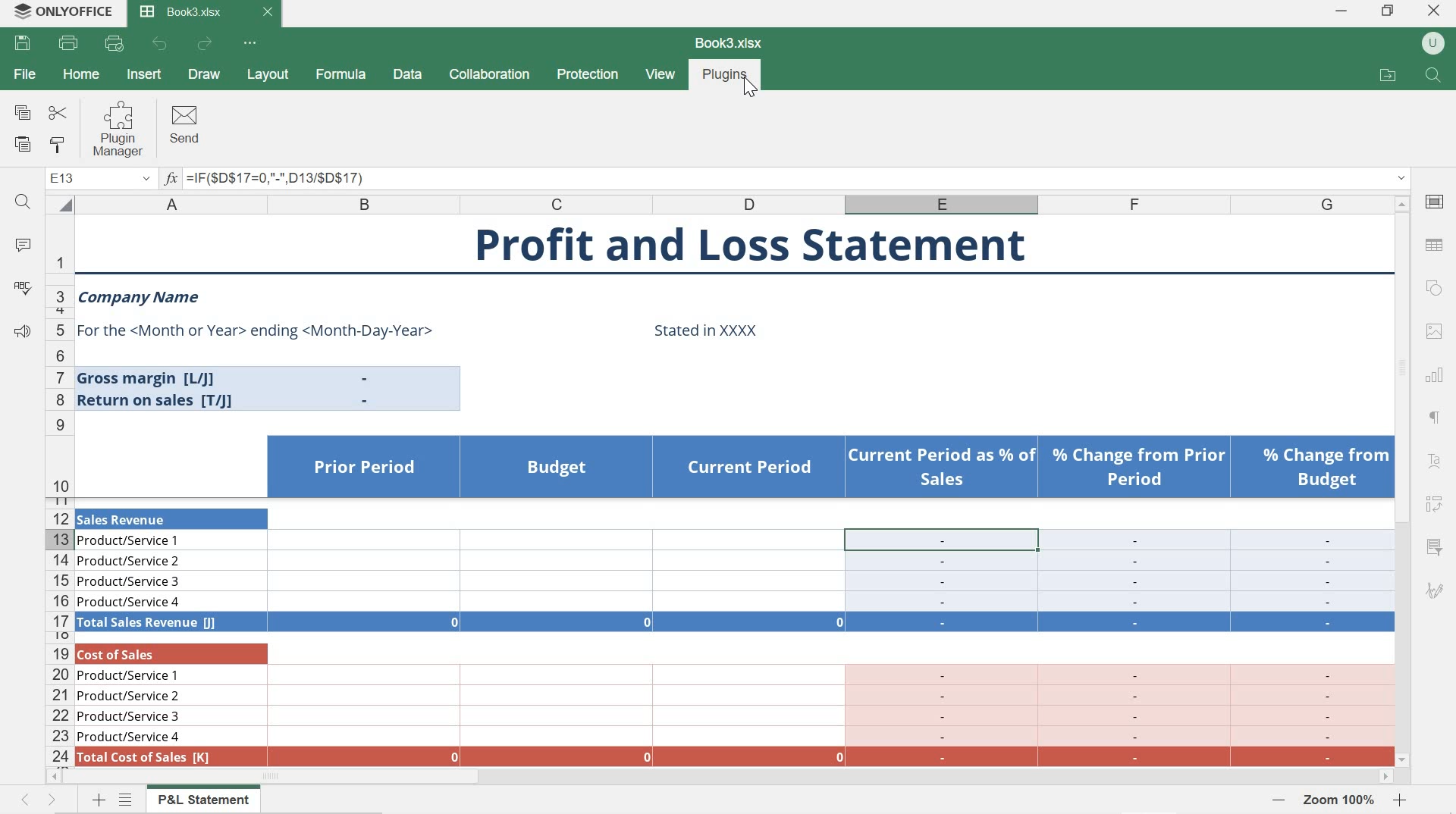 The height and width of the screenshot is (814, 1456). Describe the element at coordinates (1438, 243) in the screenshot. I see `table` at that location.